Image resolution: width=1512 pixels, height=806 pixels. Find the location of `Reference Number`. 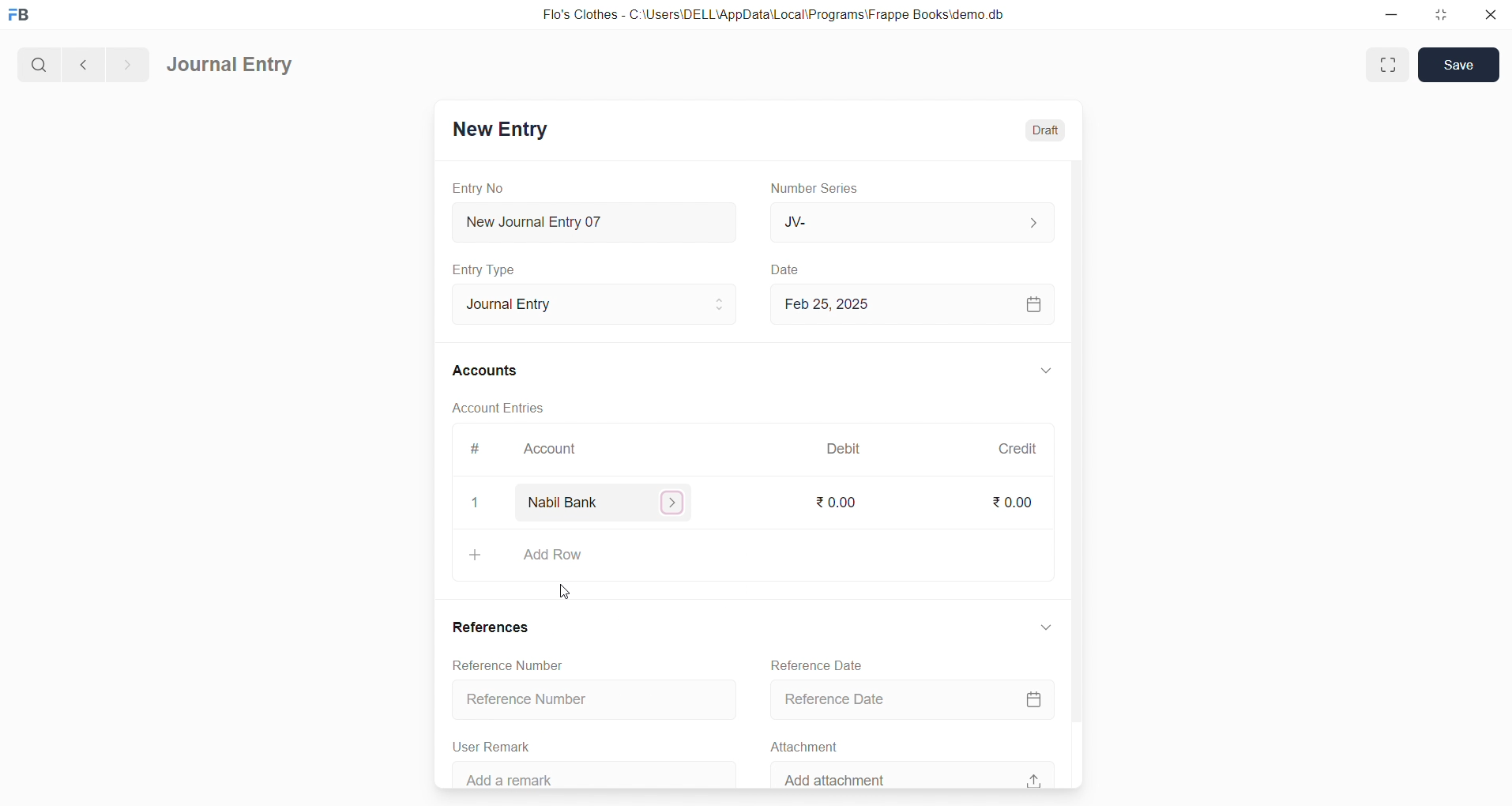

Reference Number is located at coordinates (516, 666).